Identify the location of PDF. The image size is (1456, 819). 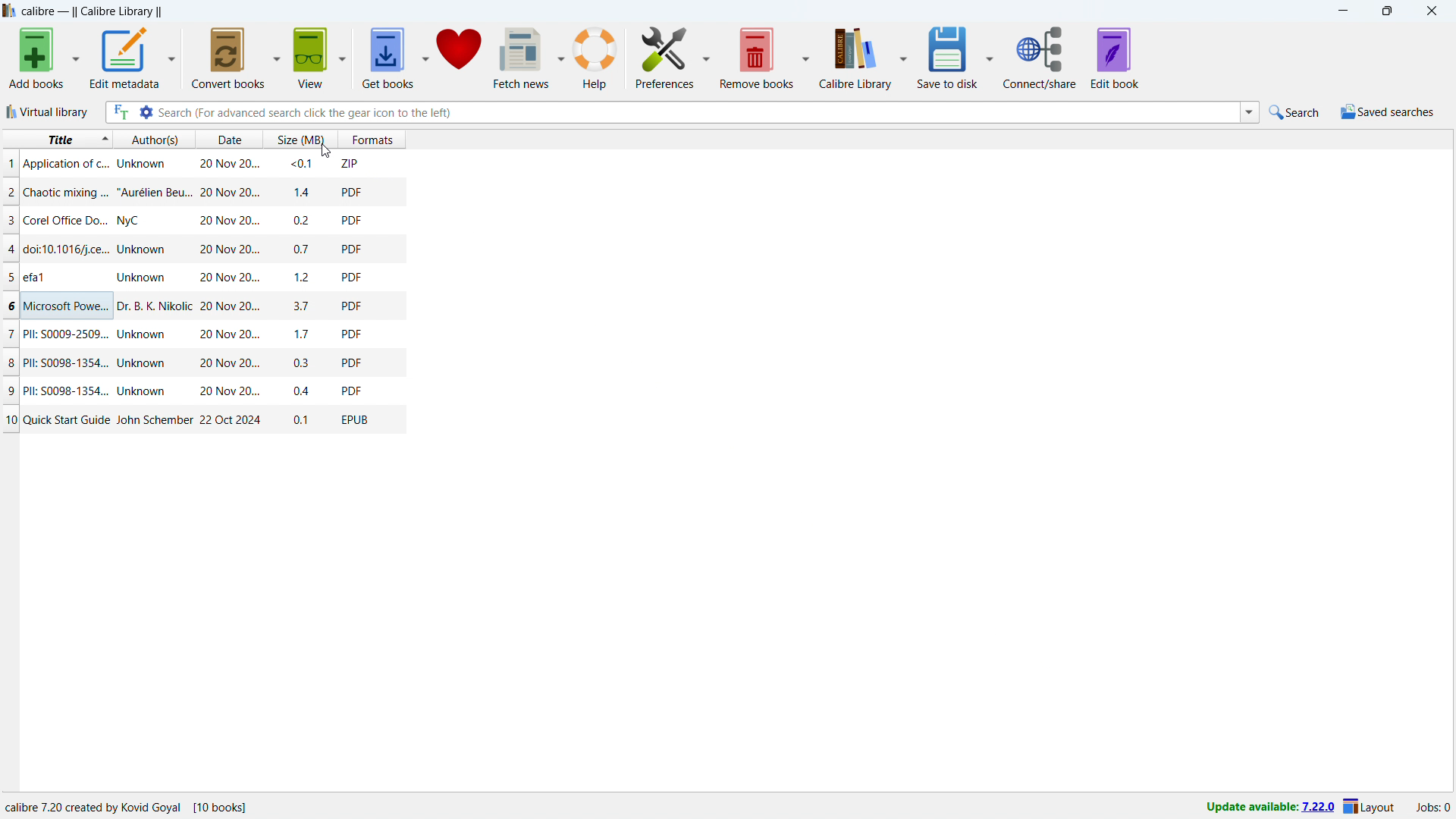
(352, 332).